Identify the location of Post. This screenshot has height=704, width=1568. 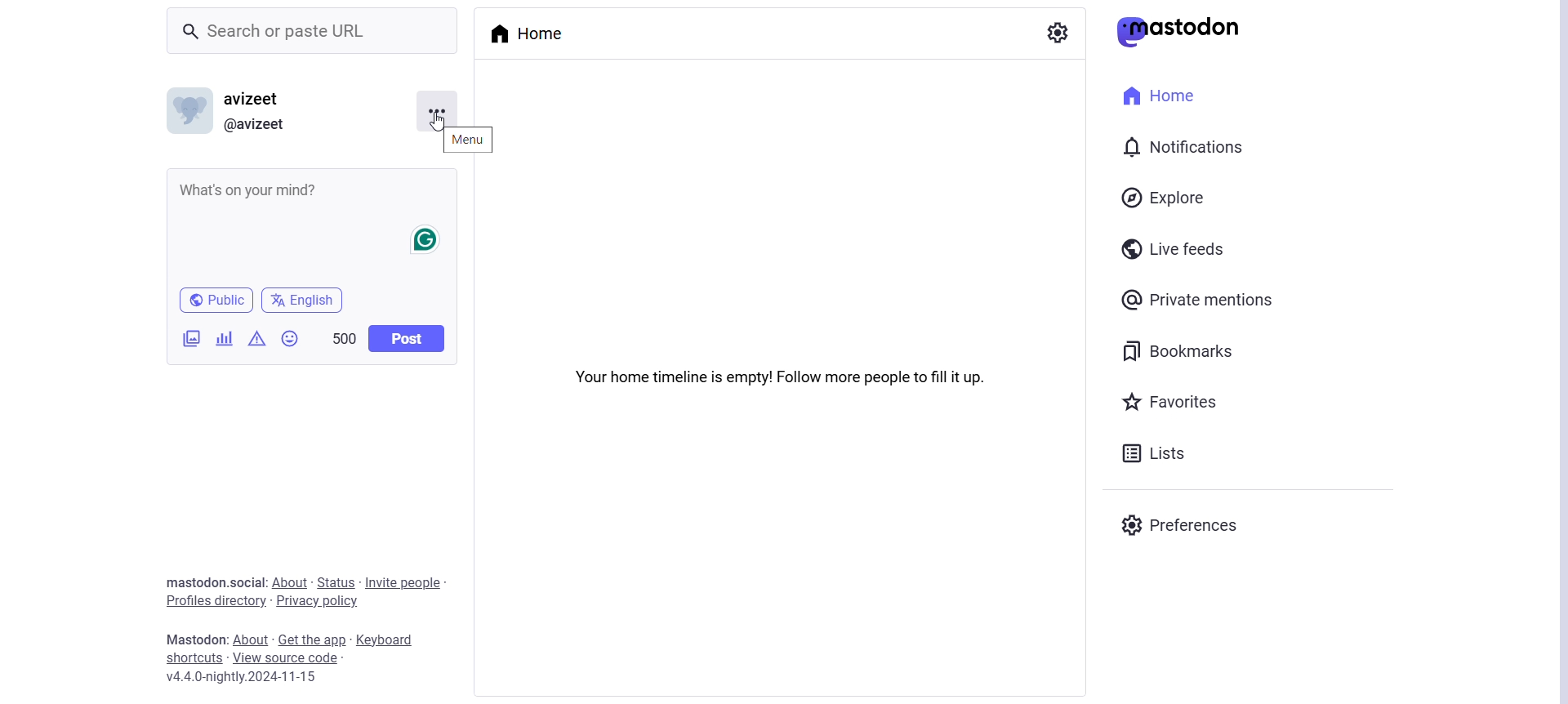
(407, 338).